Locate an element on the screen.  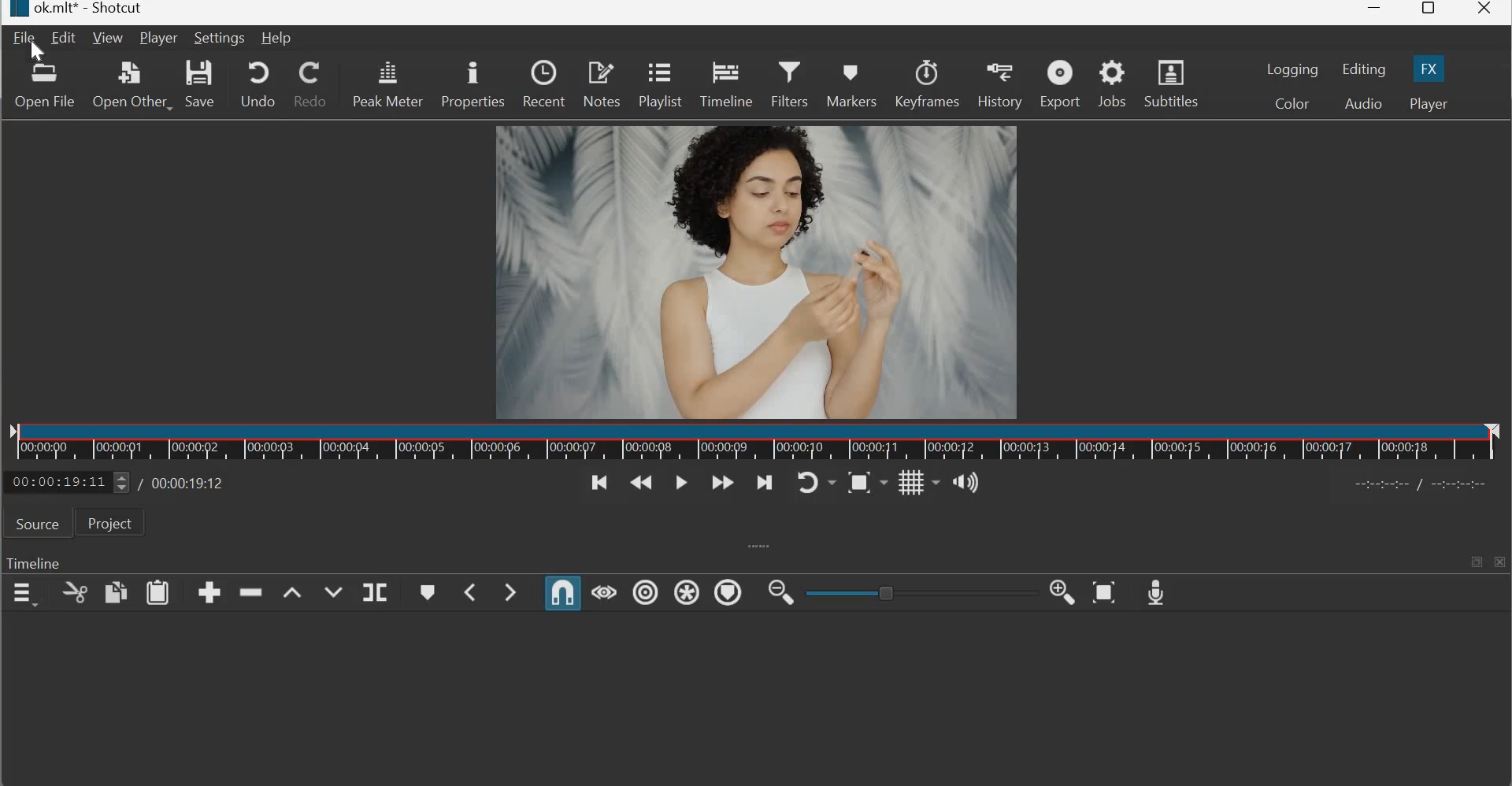
Ripple is located at coordinates (645, 592).